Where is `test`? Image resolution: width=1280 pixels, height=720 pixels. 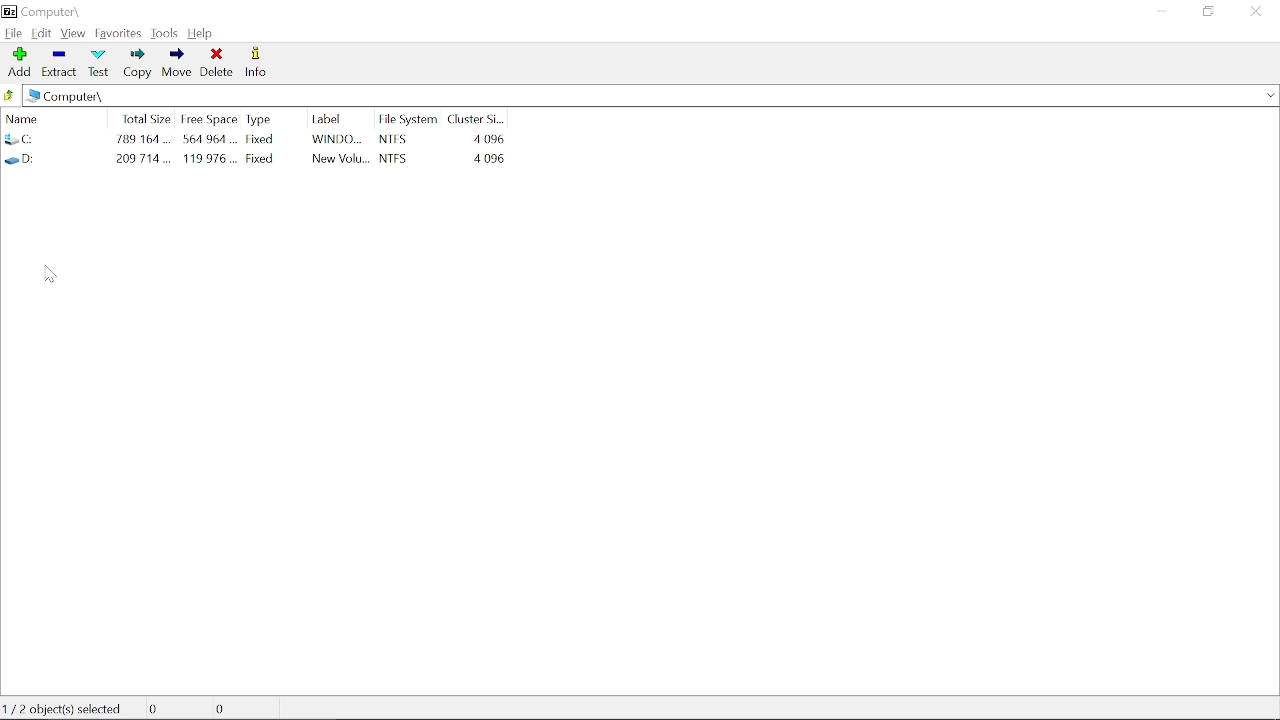 test is located at coordinates (98, 62).